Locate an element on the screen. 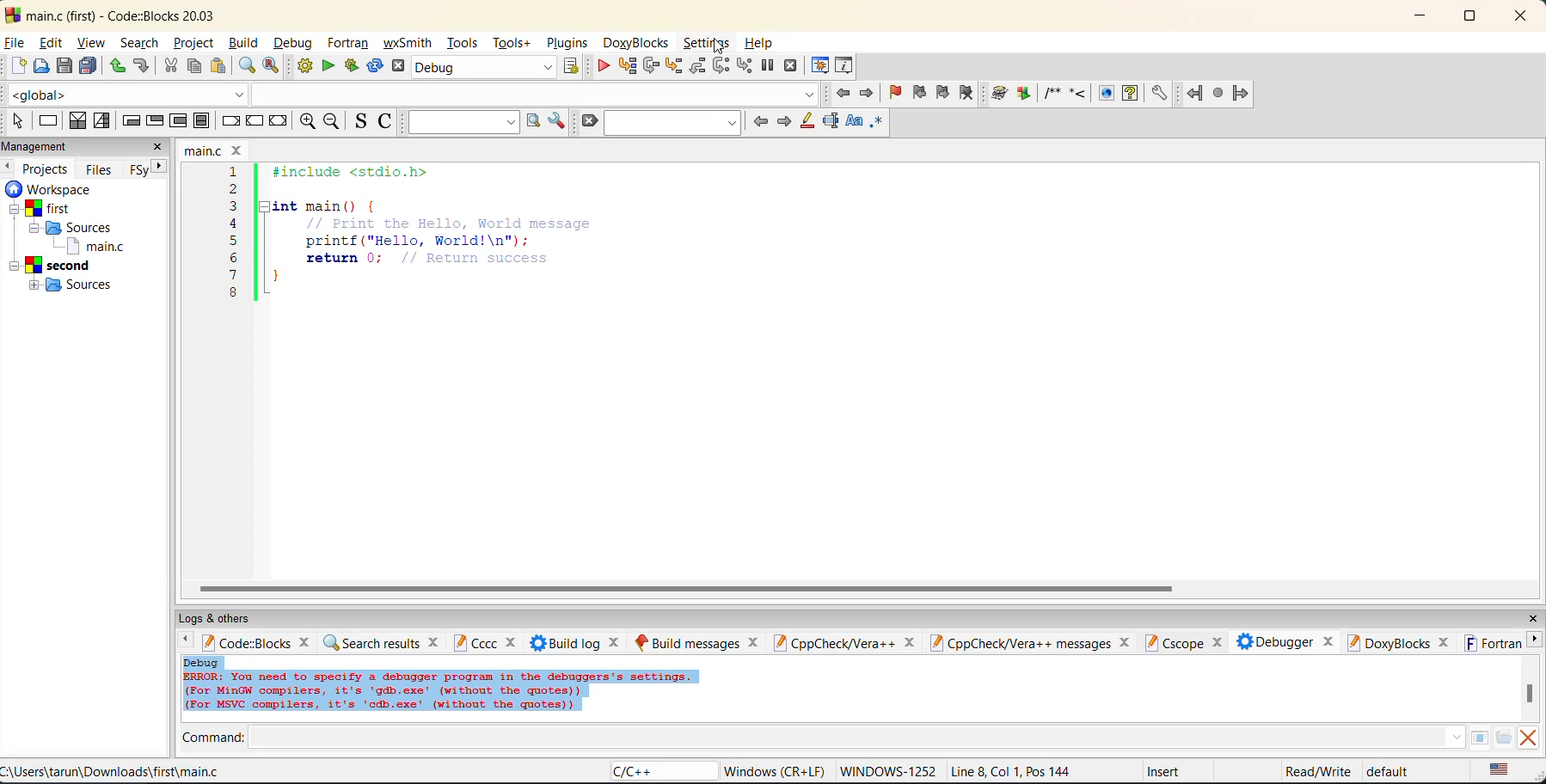 This screenshot has height=784, width=1546. break is located at coordinates (229, 119).